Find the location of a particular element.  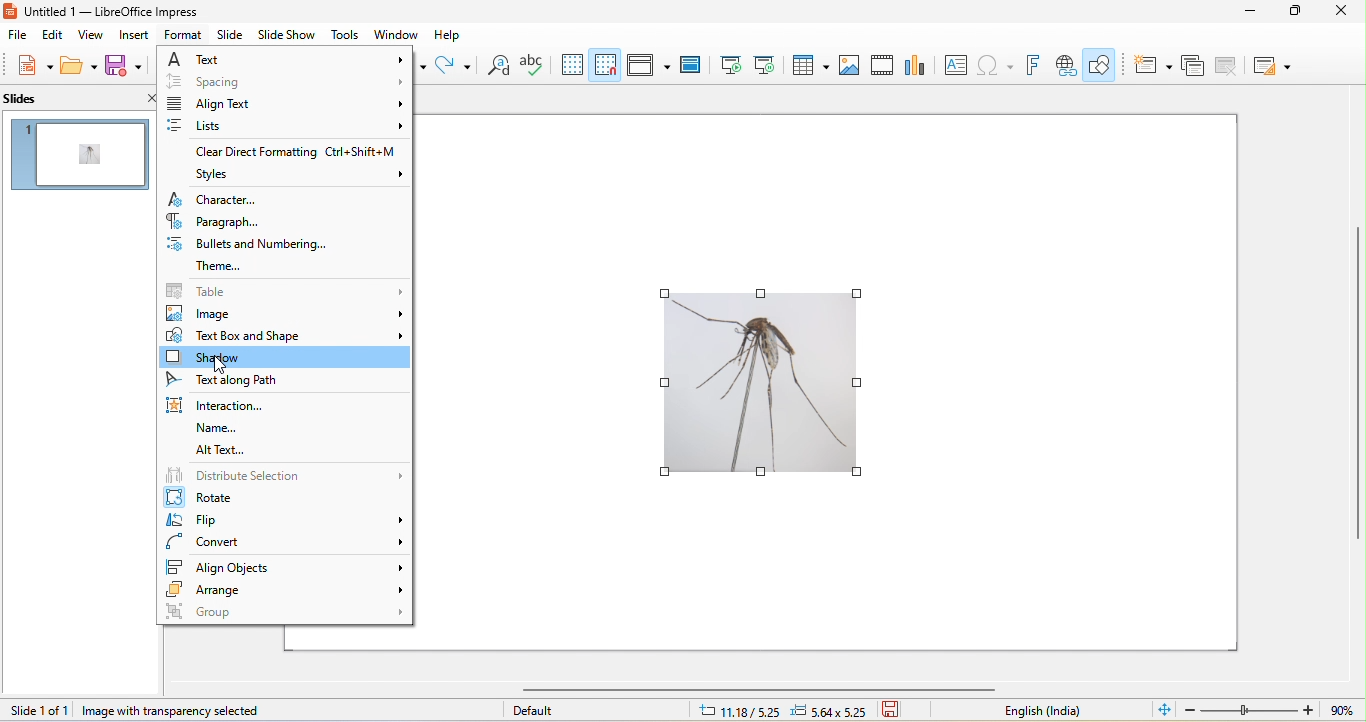

insert hyperlink is located at coordinates (1066, 67).